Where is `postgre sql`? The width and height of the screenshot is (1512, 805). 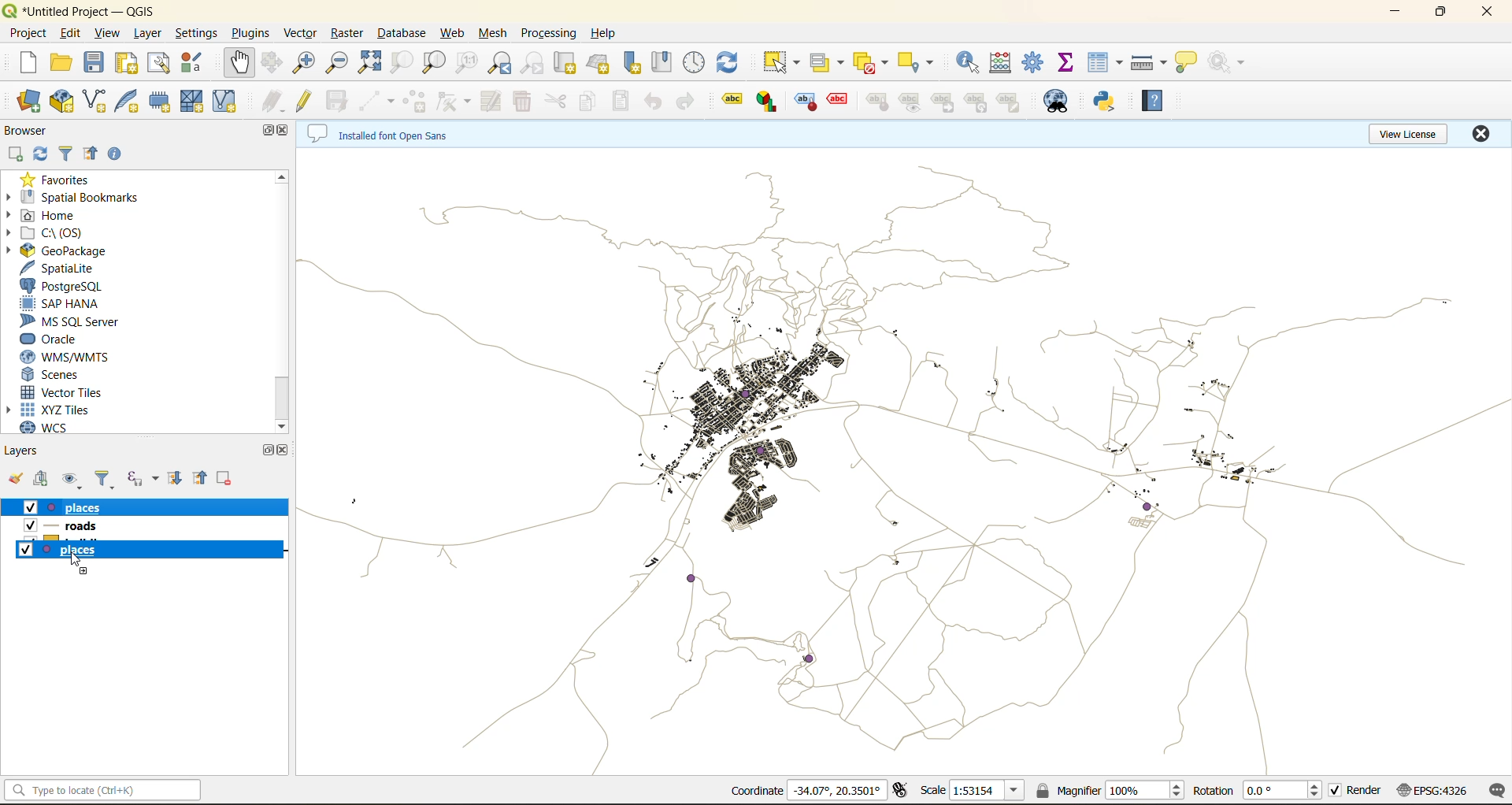 postgre sql is located at coordinates (69, 285).